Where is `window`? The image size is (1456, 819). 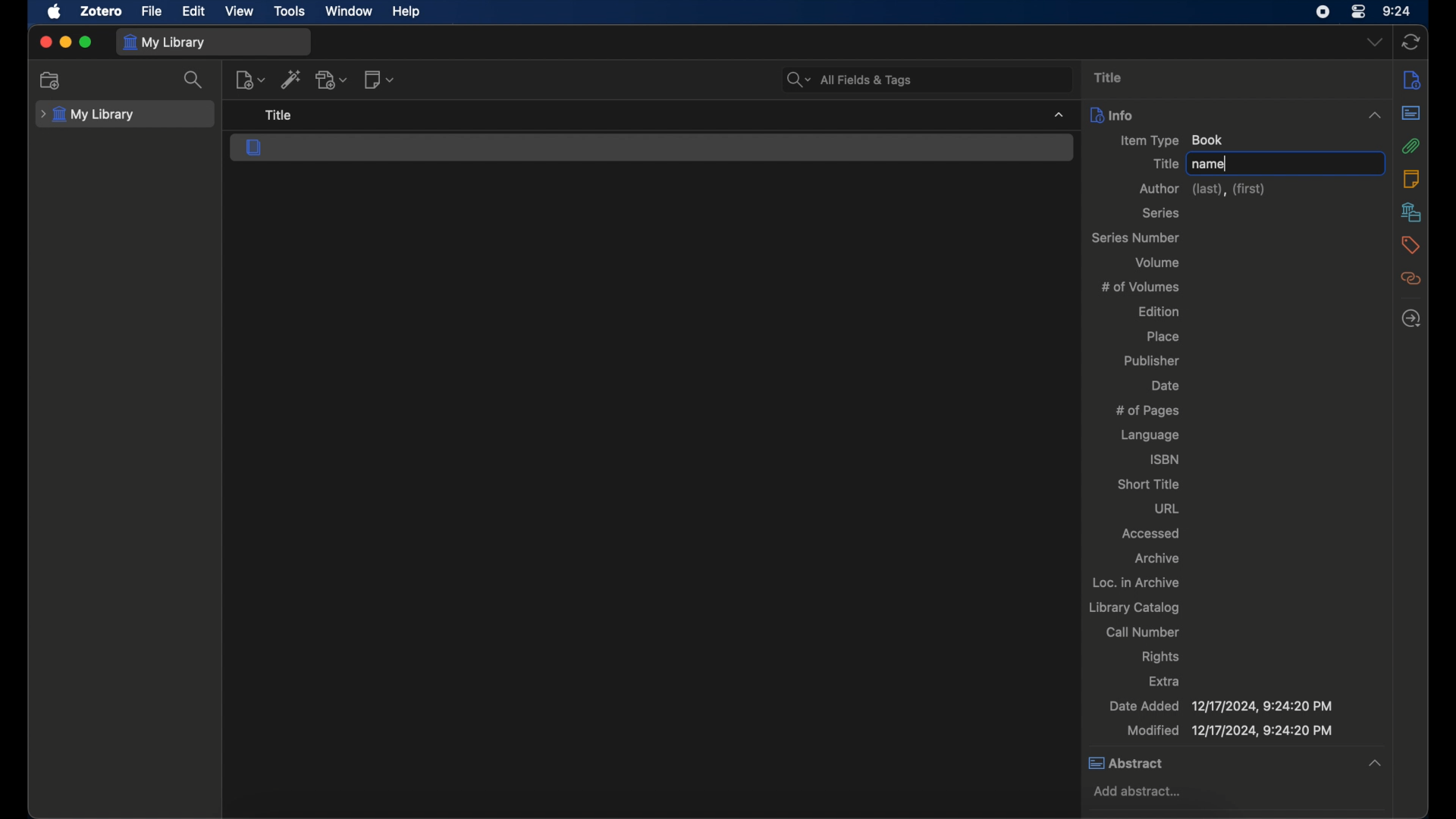
window is located at coordinates (351, 11).